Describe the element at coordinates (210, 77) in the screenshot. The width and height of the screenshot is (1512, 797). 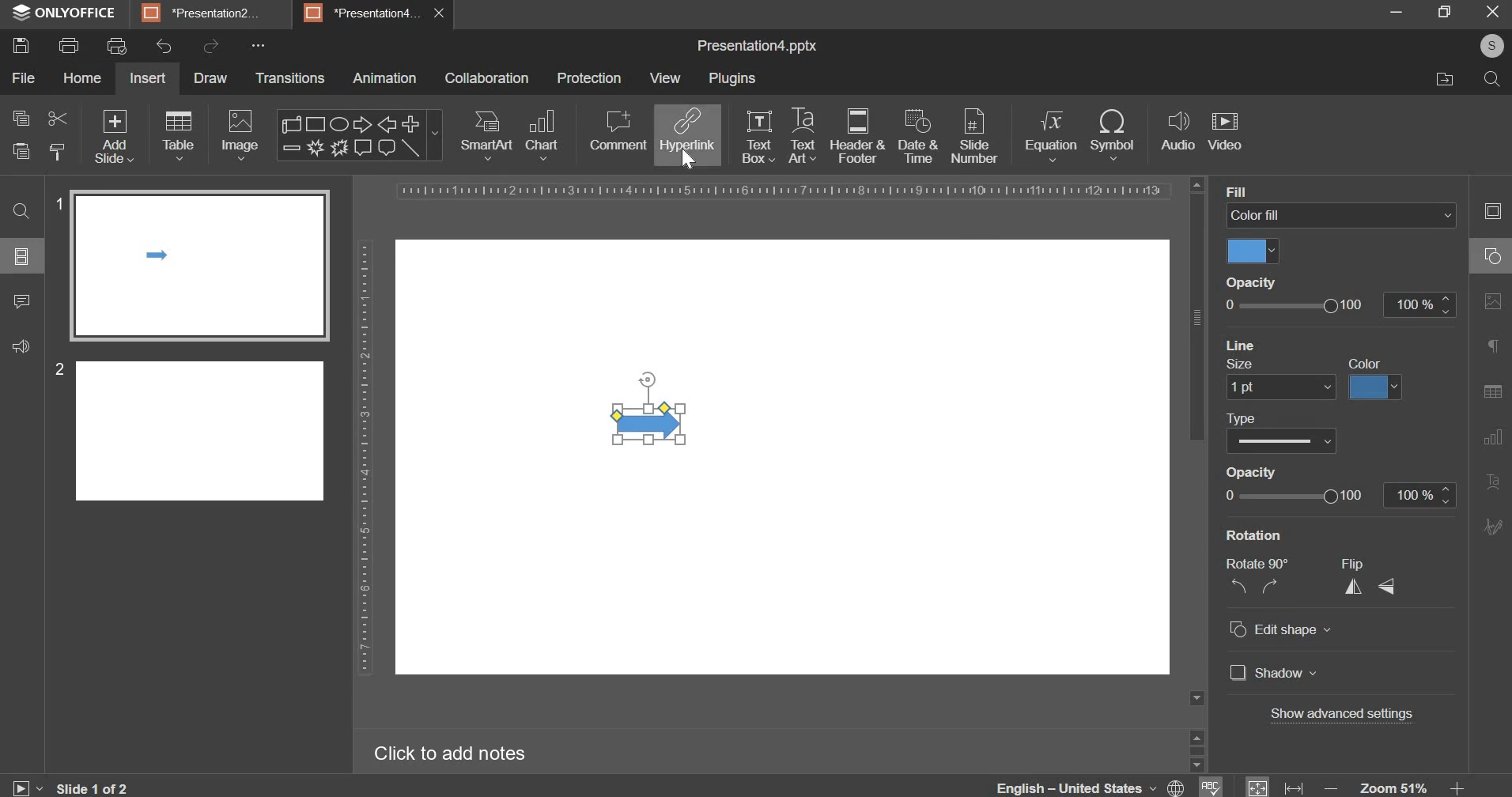
I see `draw` at that location.